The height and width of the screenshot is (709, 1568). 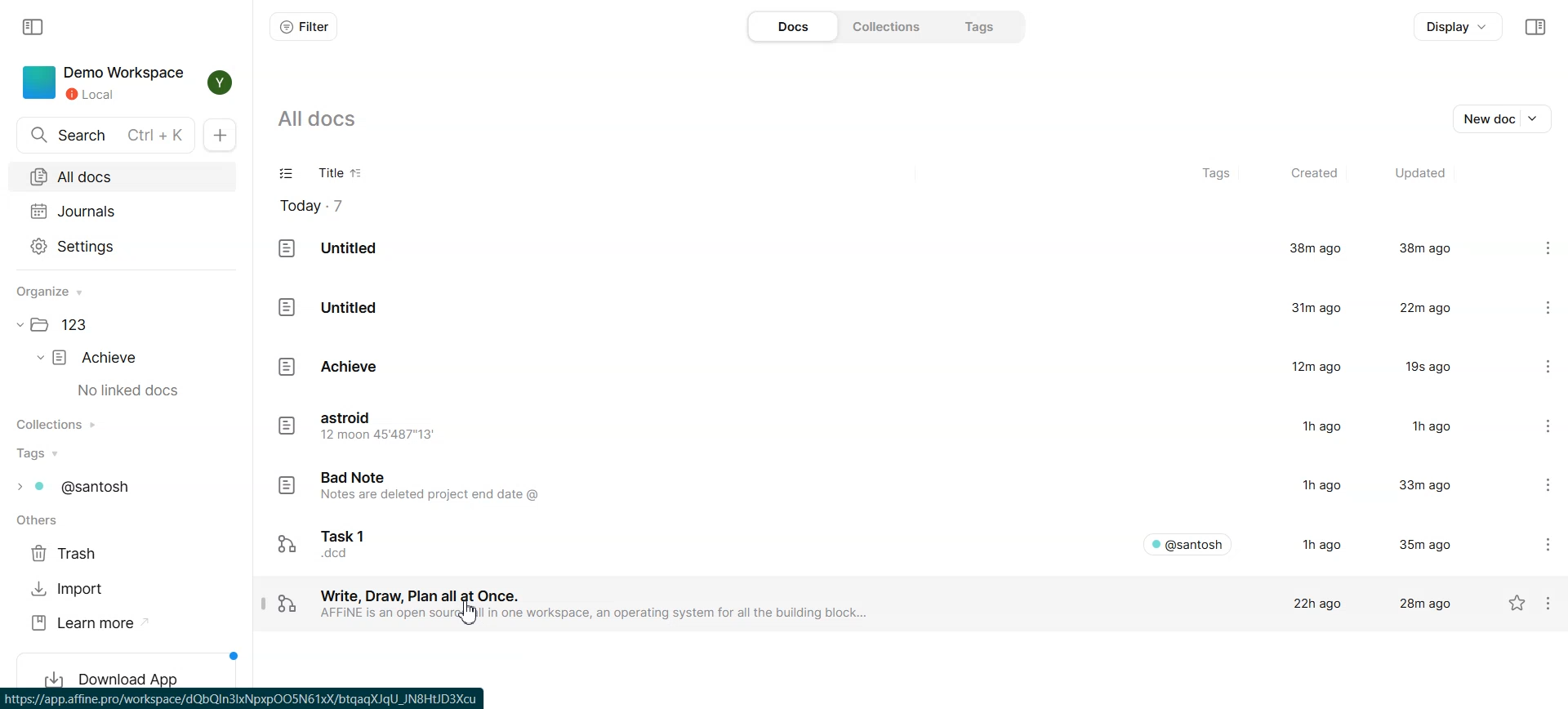 What do you see at coordinates (1532, 249) in the screenshot?
I see `Settings` at bounding box center [1532, 249].